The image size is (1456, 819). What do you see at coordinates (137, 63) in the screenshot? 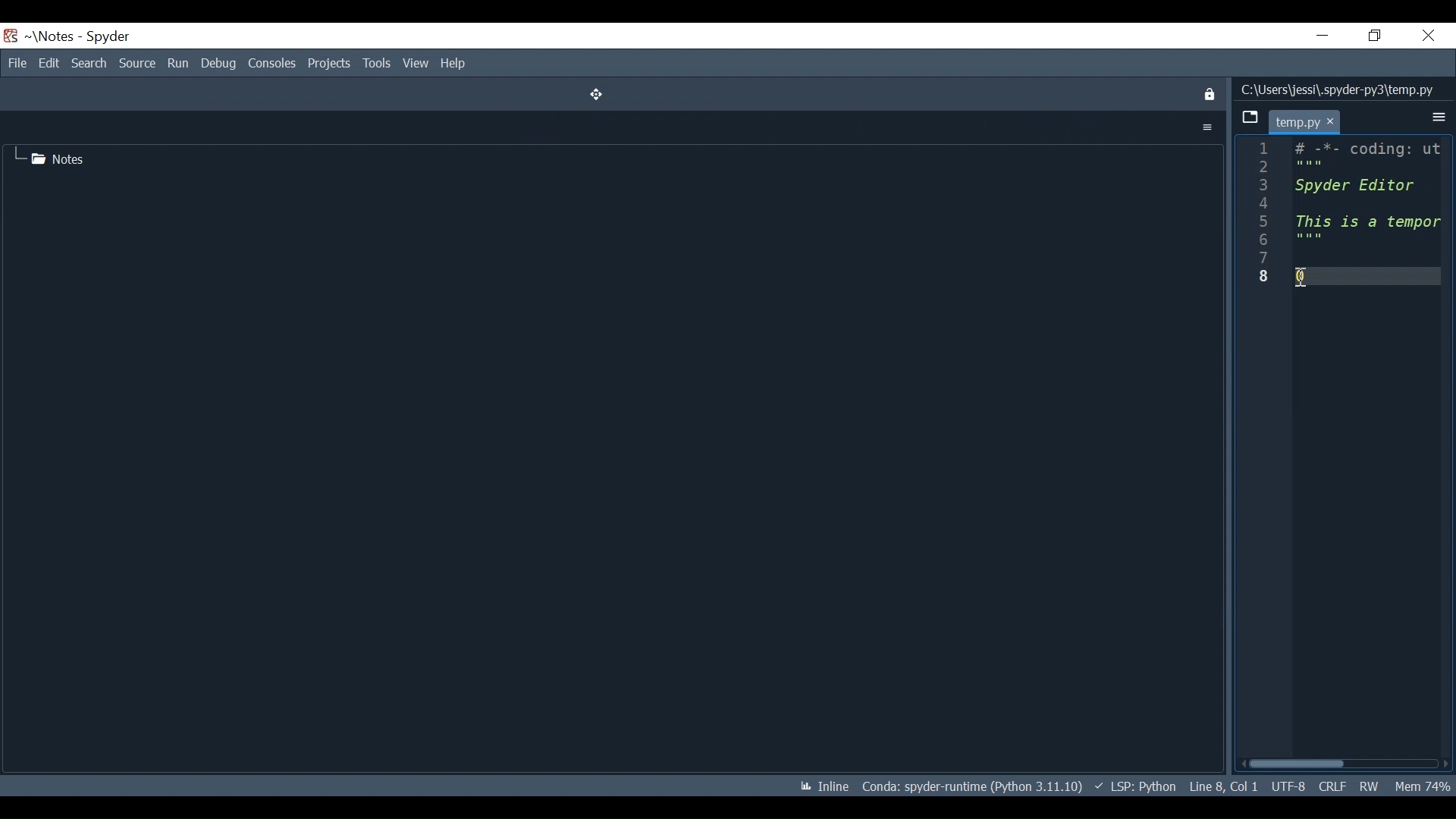
I see `Source` at bounding box center [137, 63].